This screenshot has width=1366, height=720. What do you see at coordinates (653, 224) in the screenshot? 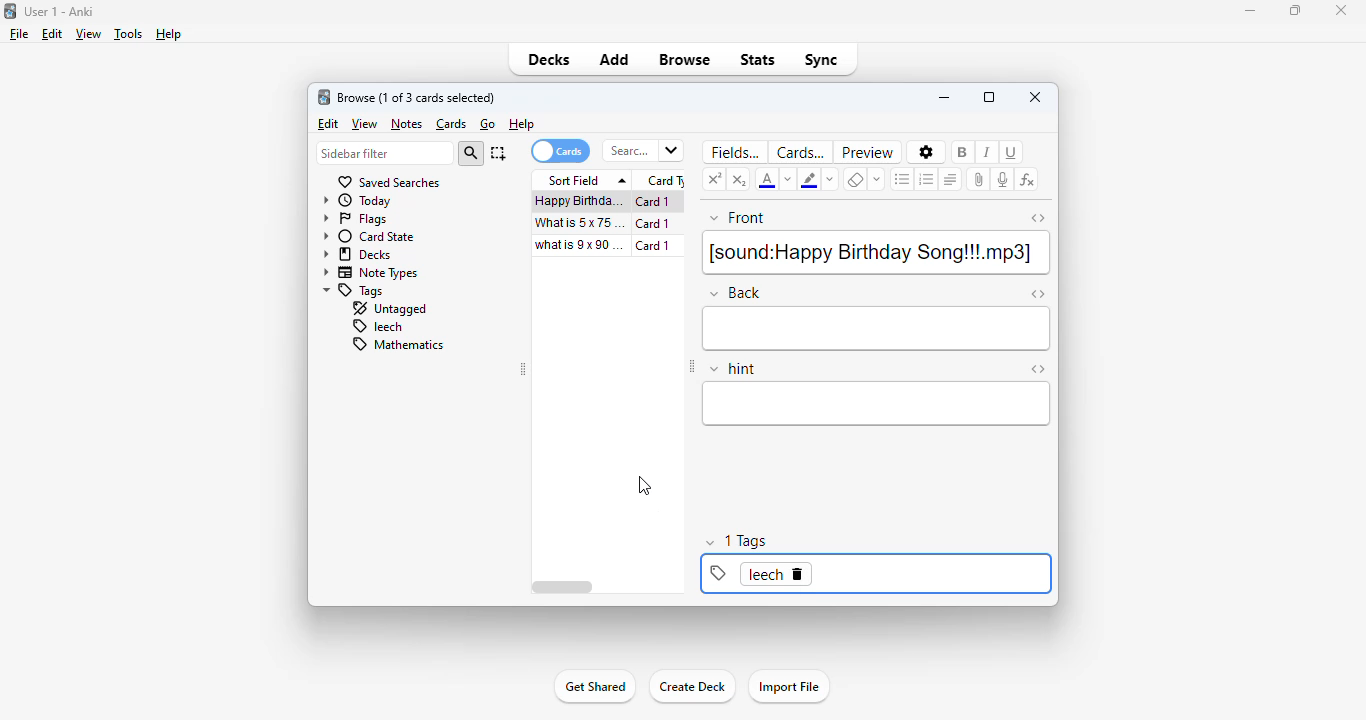
I see `card 1` at bounding box center [653, 224].